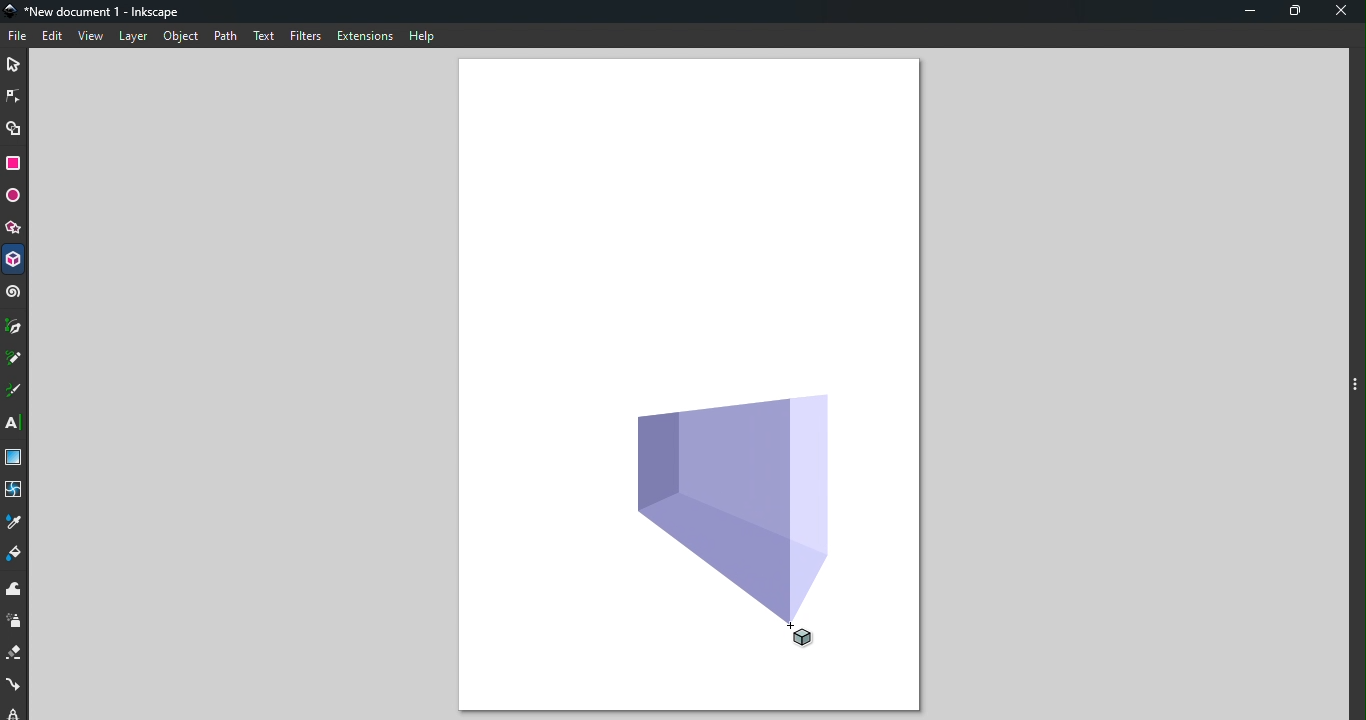  Describe the element at coordinates (14, 98) in the screenshot. I see `Node tool` at that location.